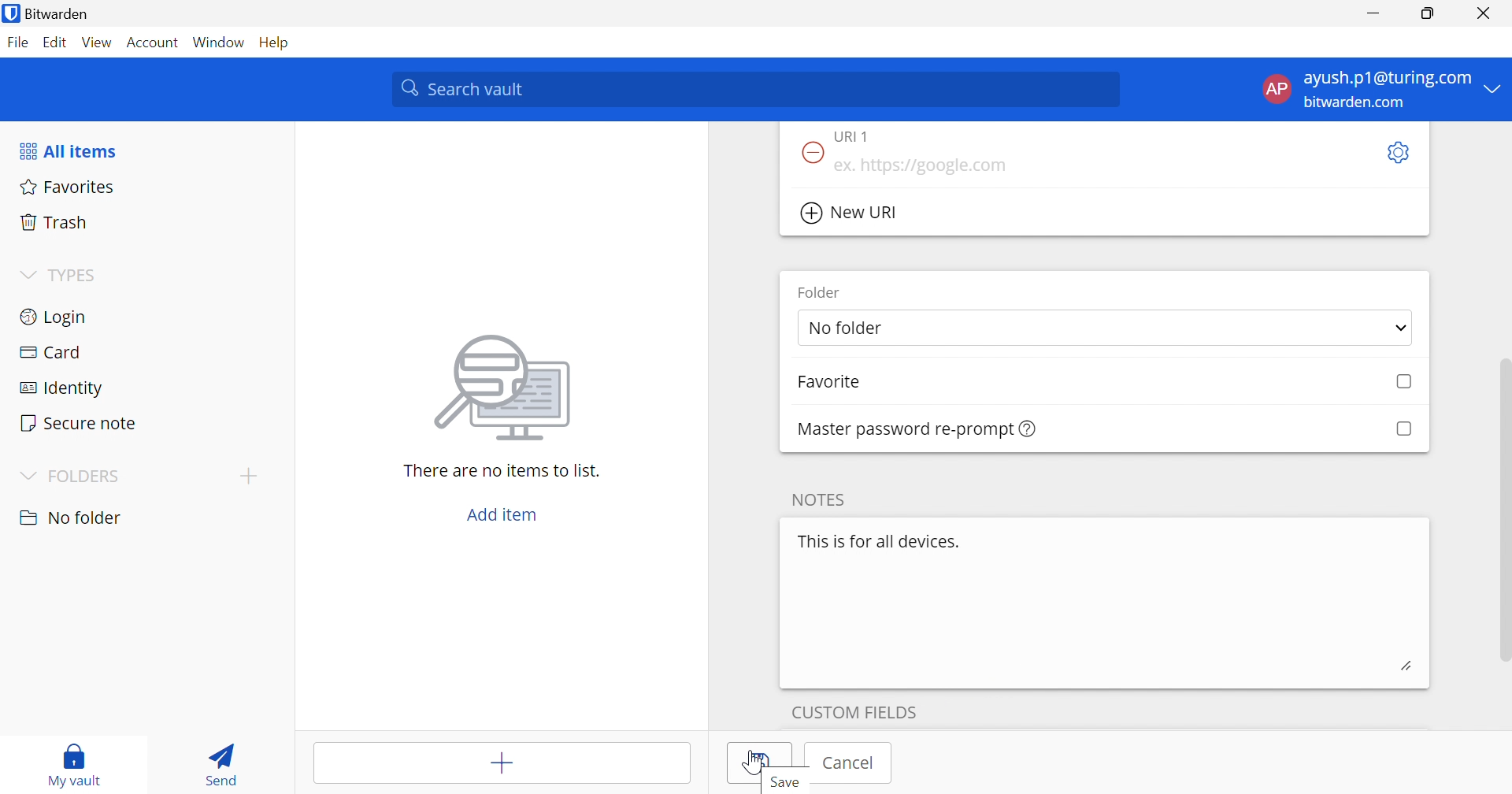  Describe the element at coordinates (1410, 669) in the screenshot. I see `edit` at that location.